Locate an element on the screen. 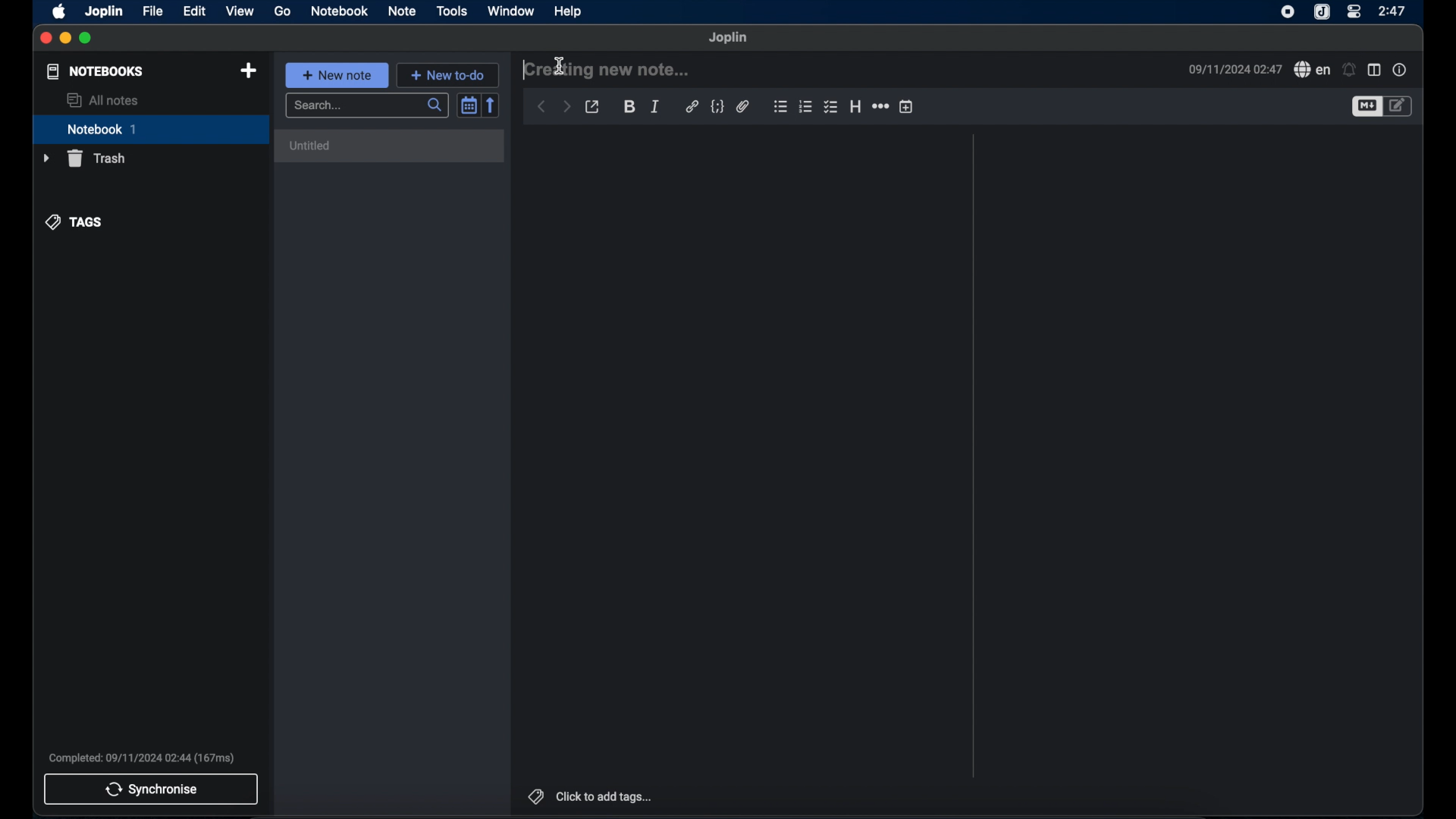 This screenshot has height=819, width=1456. screen recorder icon is located at coordinates (1288, 11).